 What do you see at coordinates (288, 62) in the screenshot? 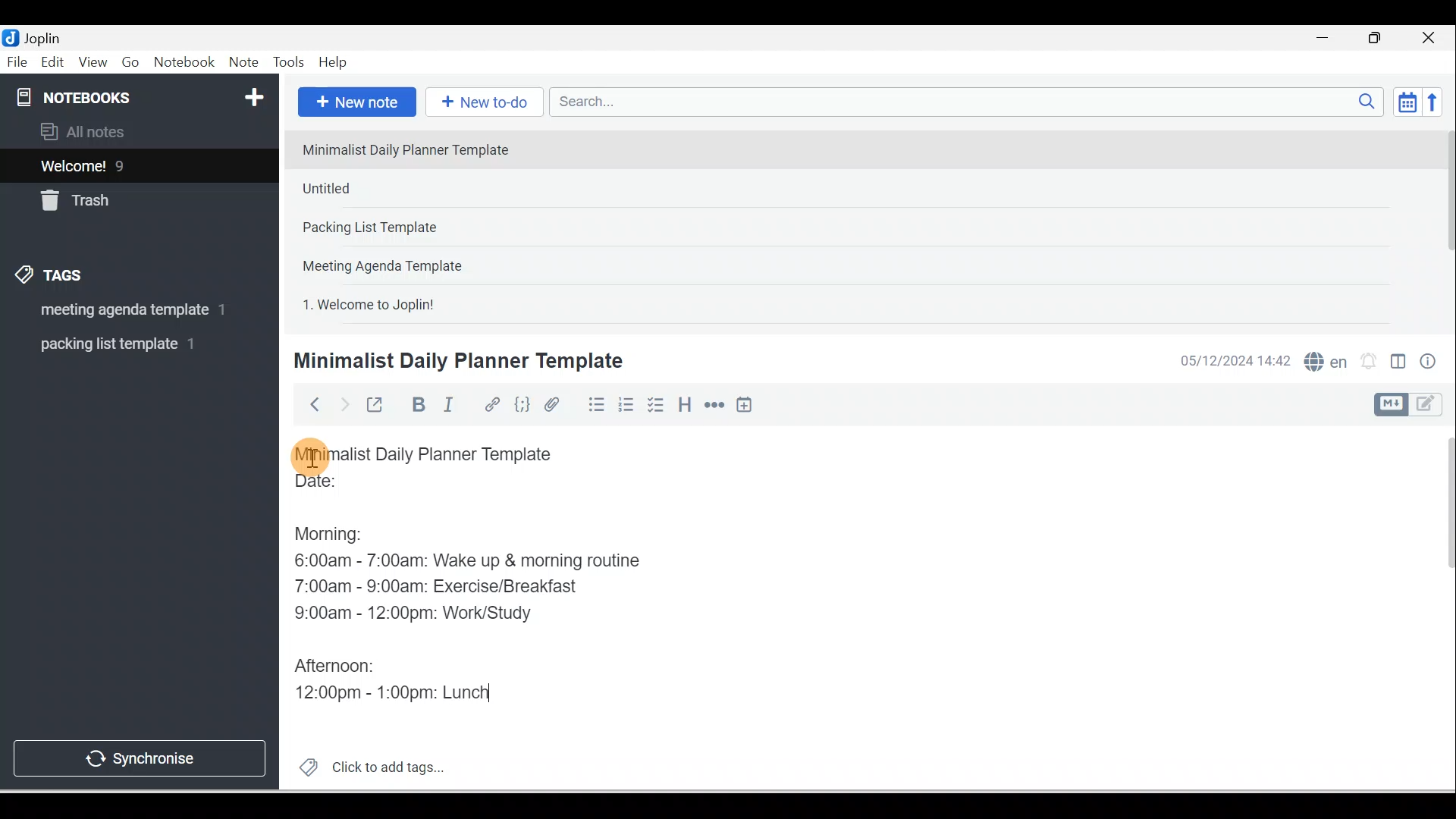
I see `Tools` at bounding box center [288, 62].